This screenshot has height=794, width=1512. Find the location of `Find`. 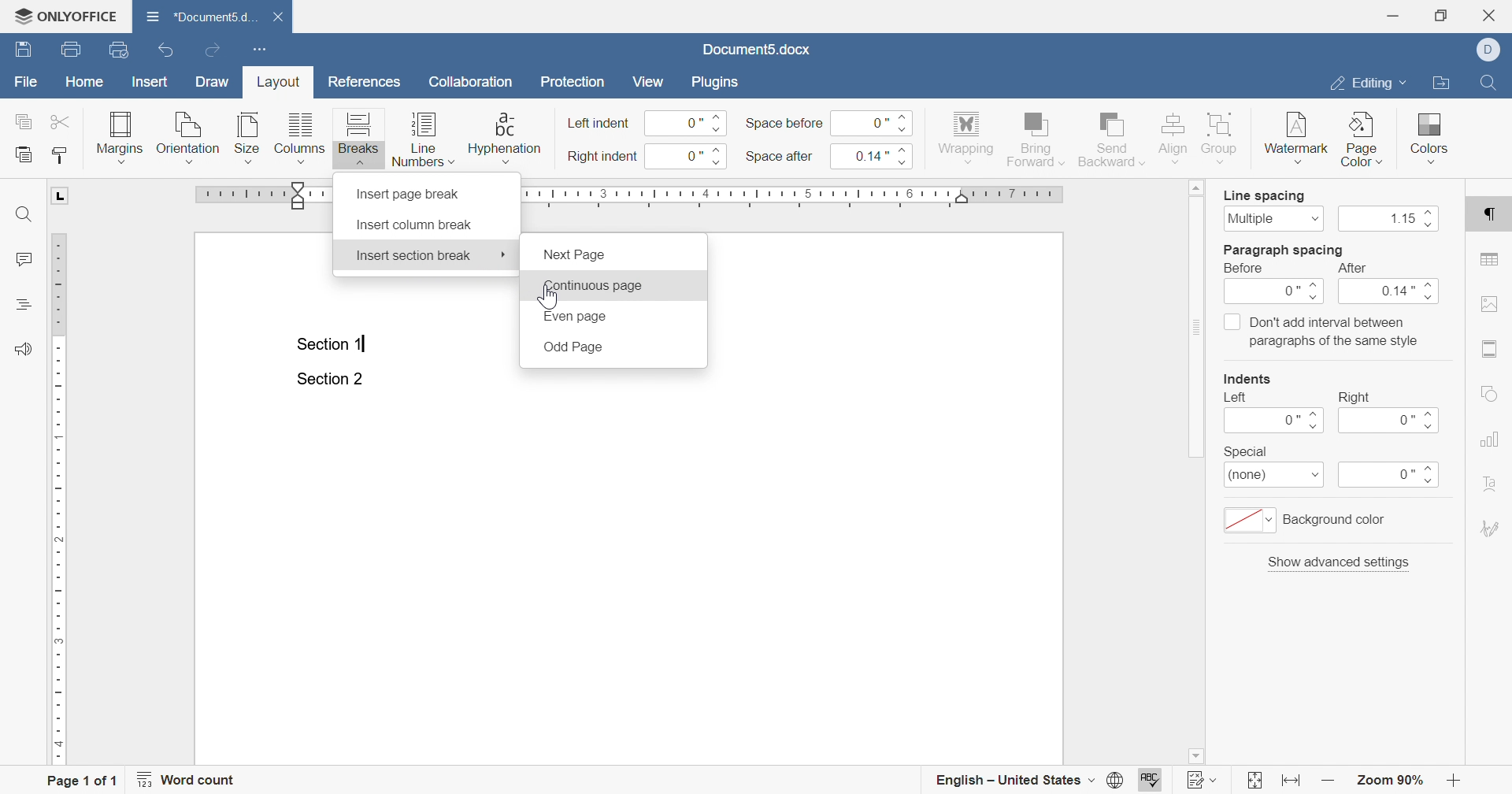

Find is located at coordinates (1487, 82).